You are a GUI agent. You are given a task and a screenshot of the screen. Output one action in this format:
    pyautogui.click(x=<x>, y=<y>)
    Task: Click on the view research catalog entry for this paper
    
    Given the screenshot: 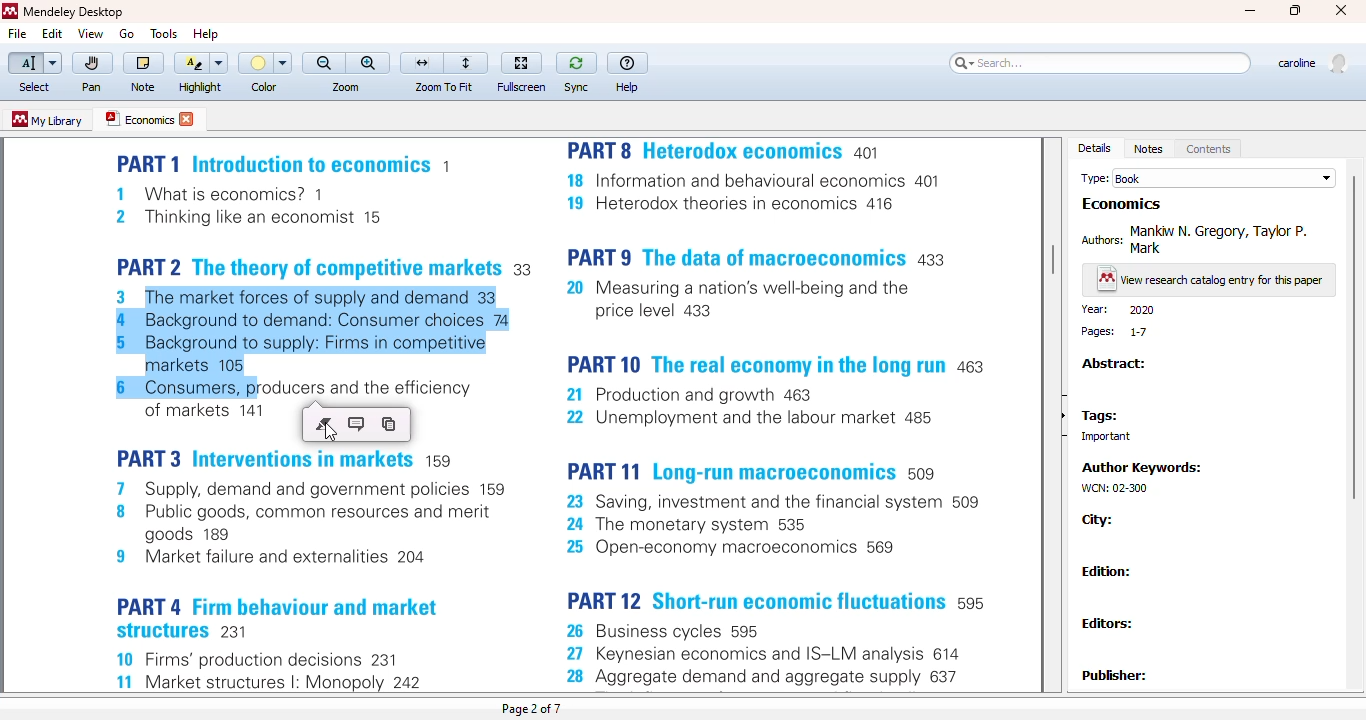 What is the action you would take?
    pyautogui.click(x=1210, y=281)
    